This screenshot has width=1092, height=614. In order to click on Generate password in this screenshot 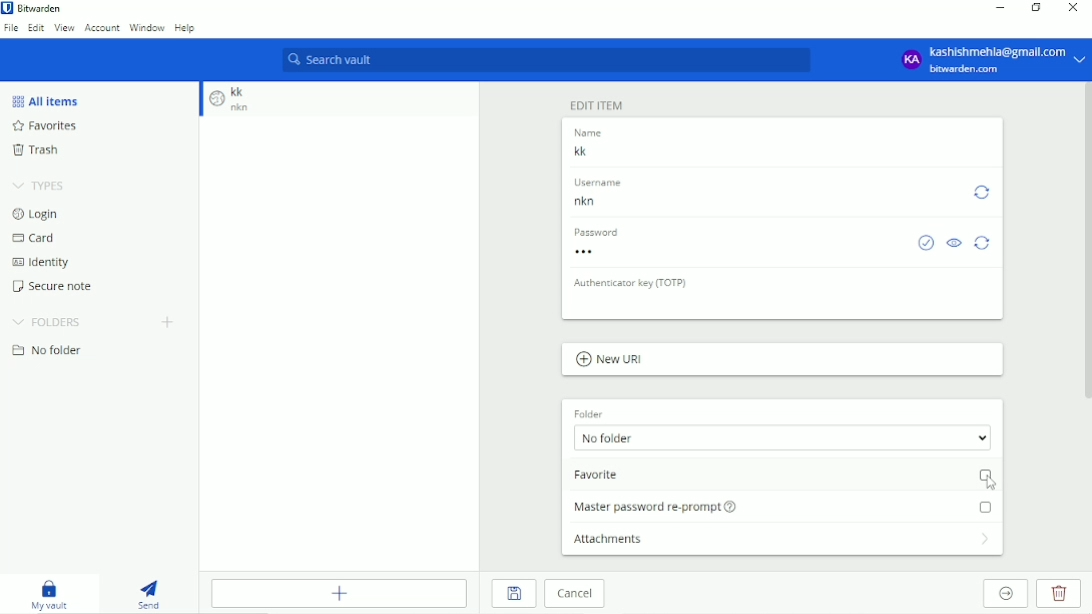, I will do `click(984, 244)`.